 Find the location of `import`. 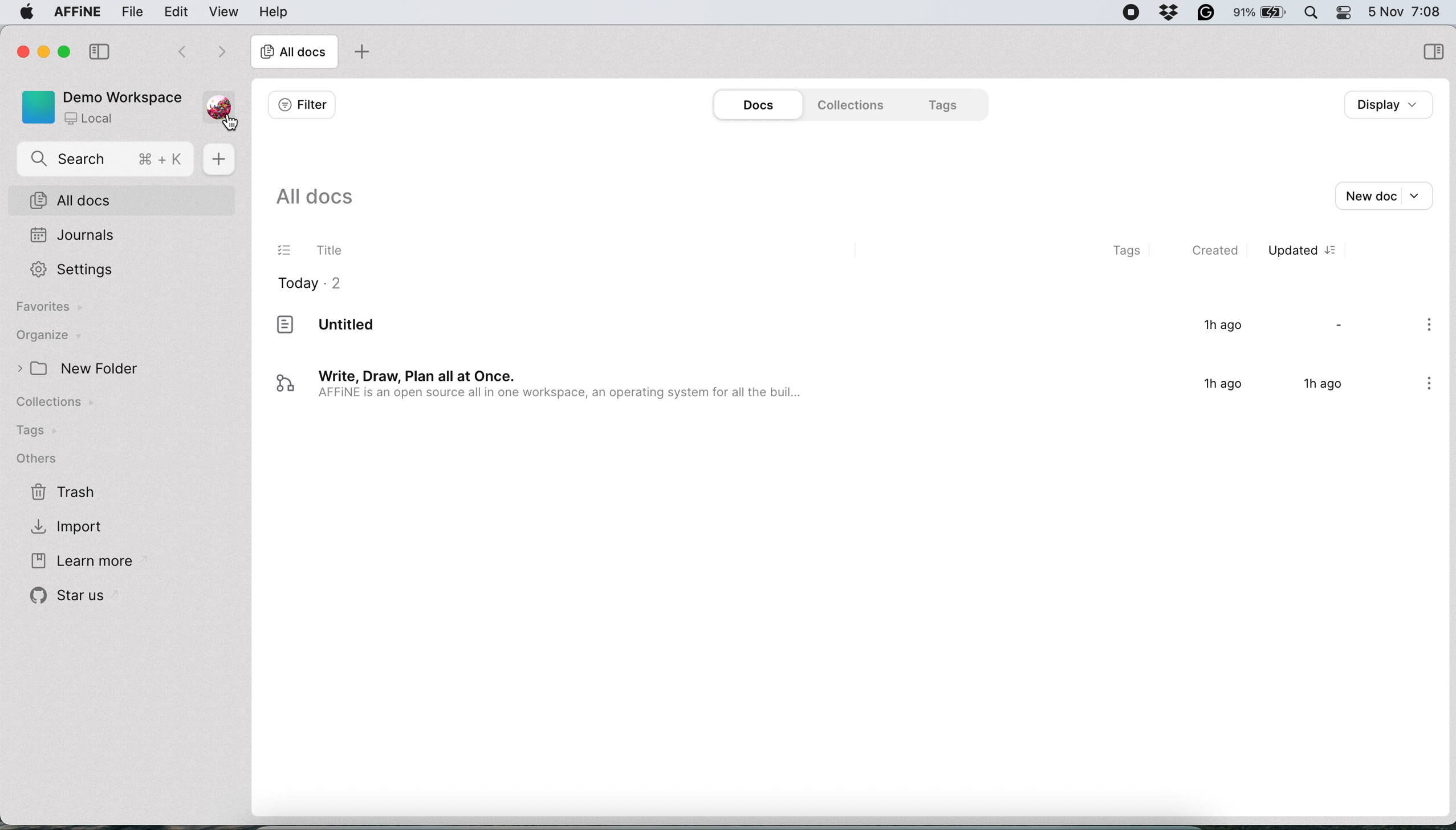

import is located at coordinates (76, 528).